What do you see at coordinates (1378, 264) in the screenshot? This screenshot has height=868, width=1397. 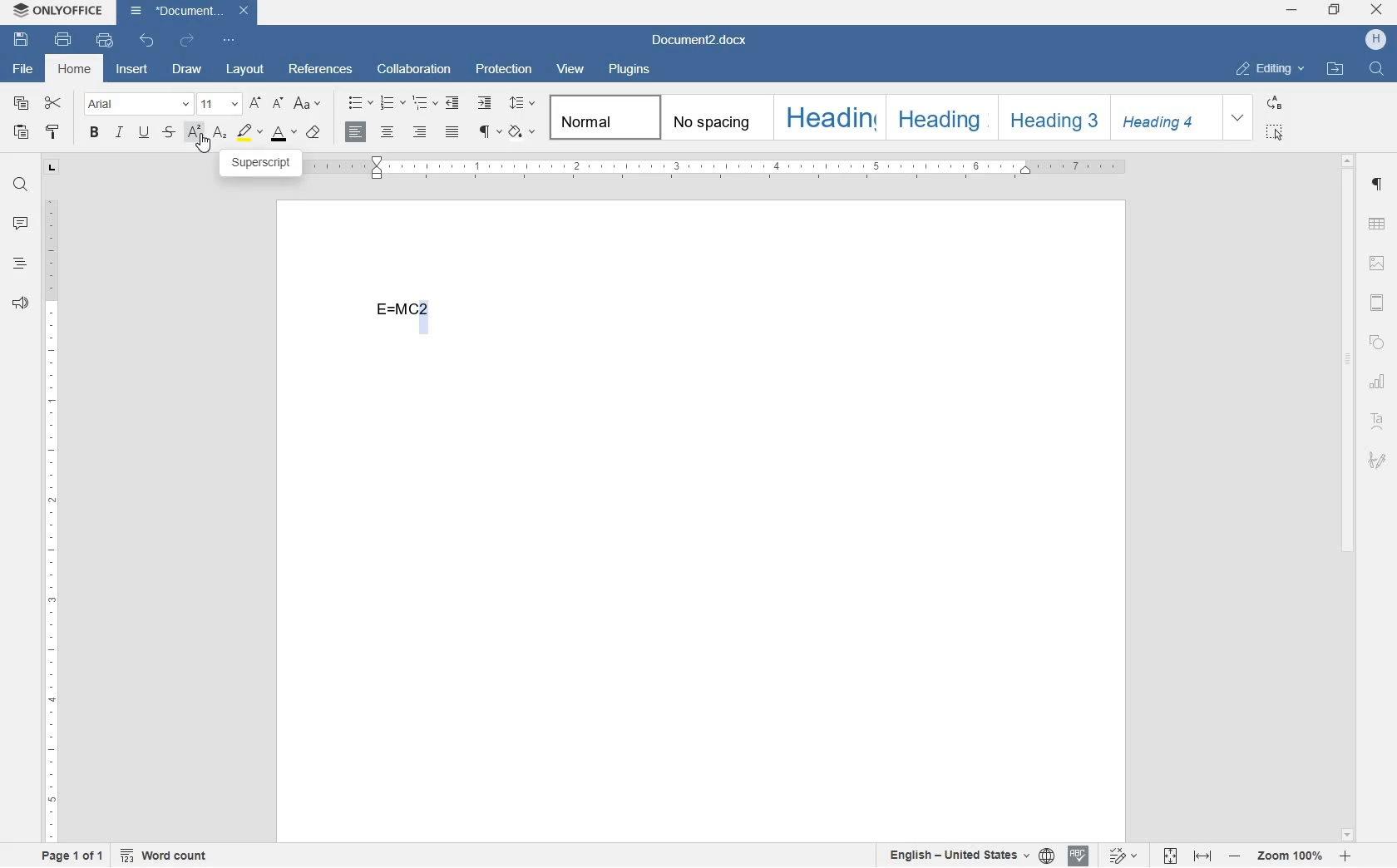 I see `image` at bounding box center [1378, 264].